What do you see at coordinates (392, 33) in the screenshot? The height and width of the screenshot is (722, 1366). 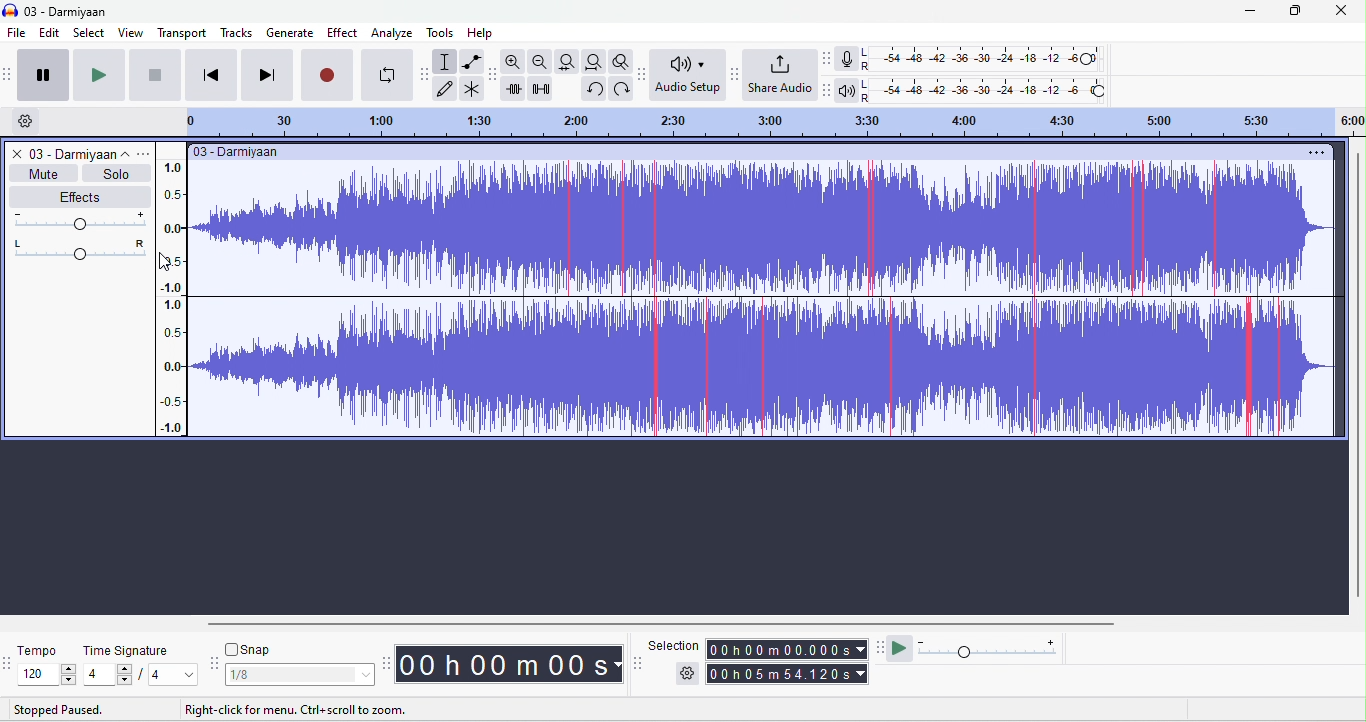 I see `analyze` at bounding box center [392, 33].